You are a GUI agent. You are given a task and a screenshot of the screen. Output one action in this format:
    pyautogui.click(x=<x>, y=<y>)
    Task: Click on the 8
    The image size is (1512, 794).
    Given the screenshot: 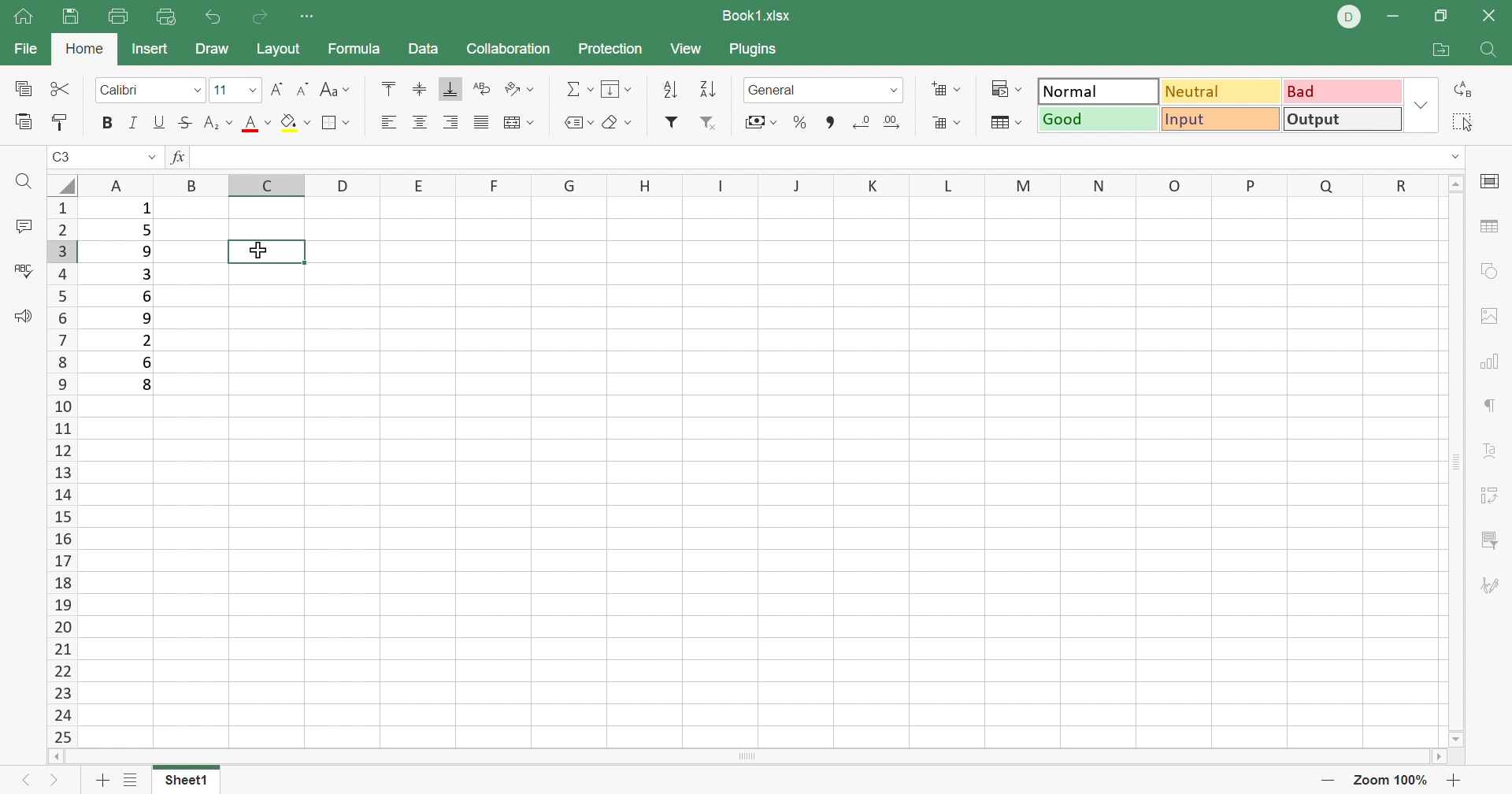 What is the action you would take?
    pyautogui.click(x=148, y=386)
    